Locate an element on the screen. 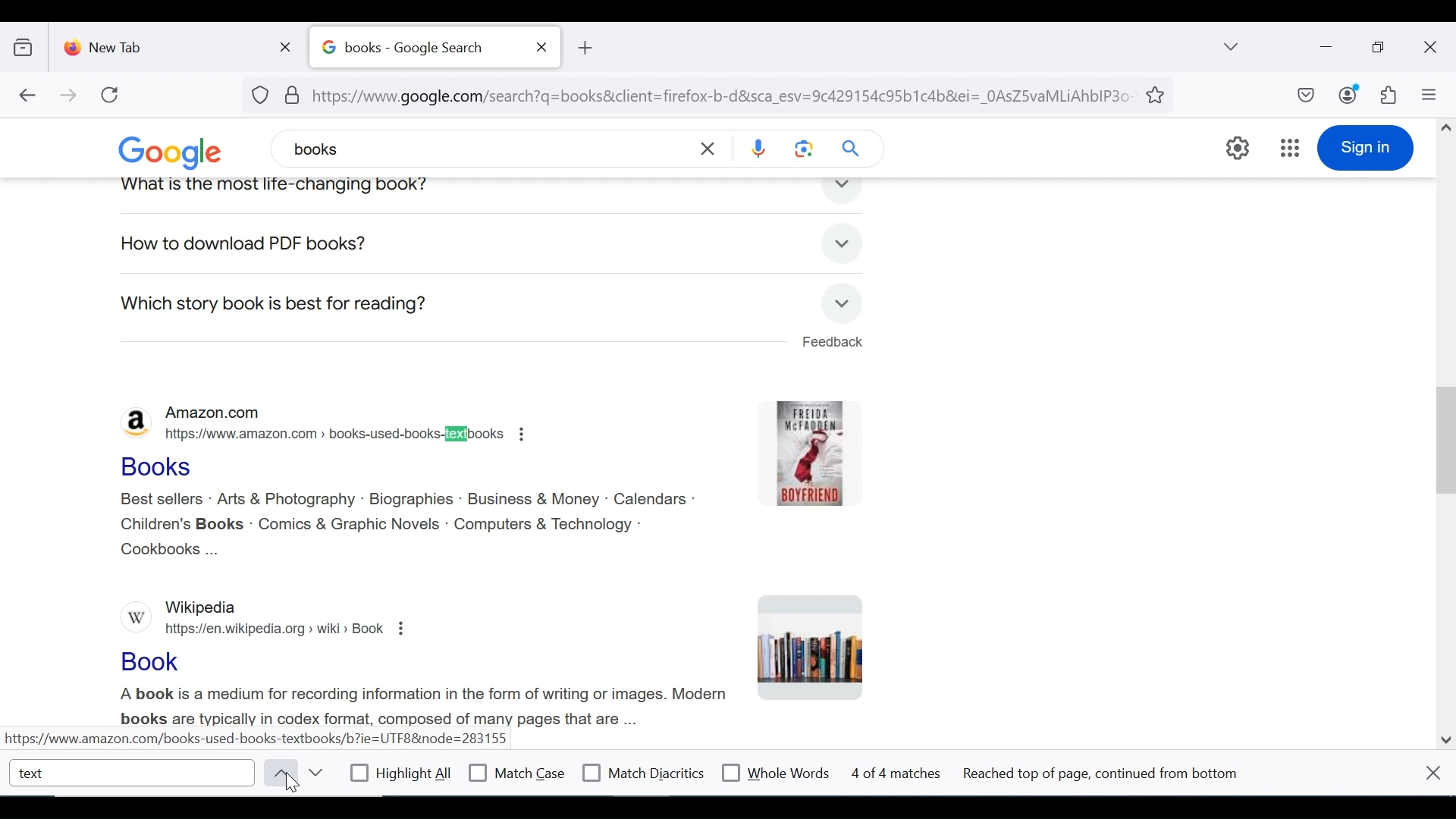 The width and height of the screenshot is (1456, 819). new is located at coordinates (402, 243).